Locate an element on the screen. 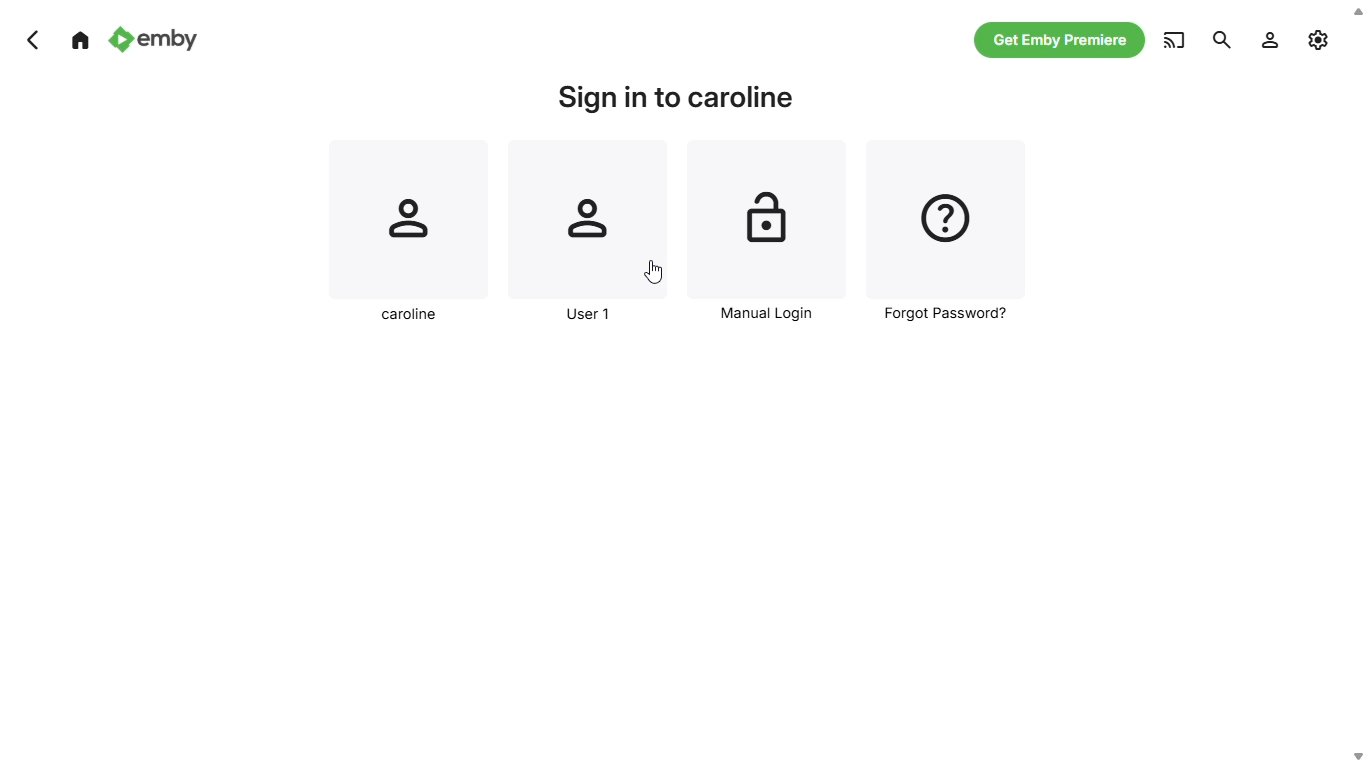  back is located at coordinates (34, 39).